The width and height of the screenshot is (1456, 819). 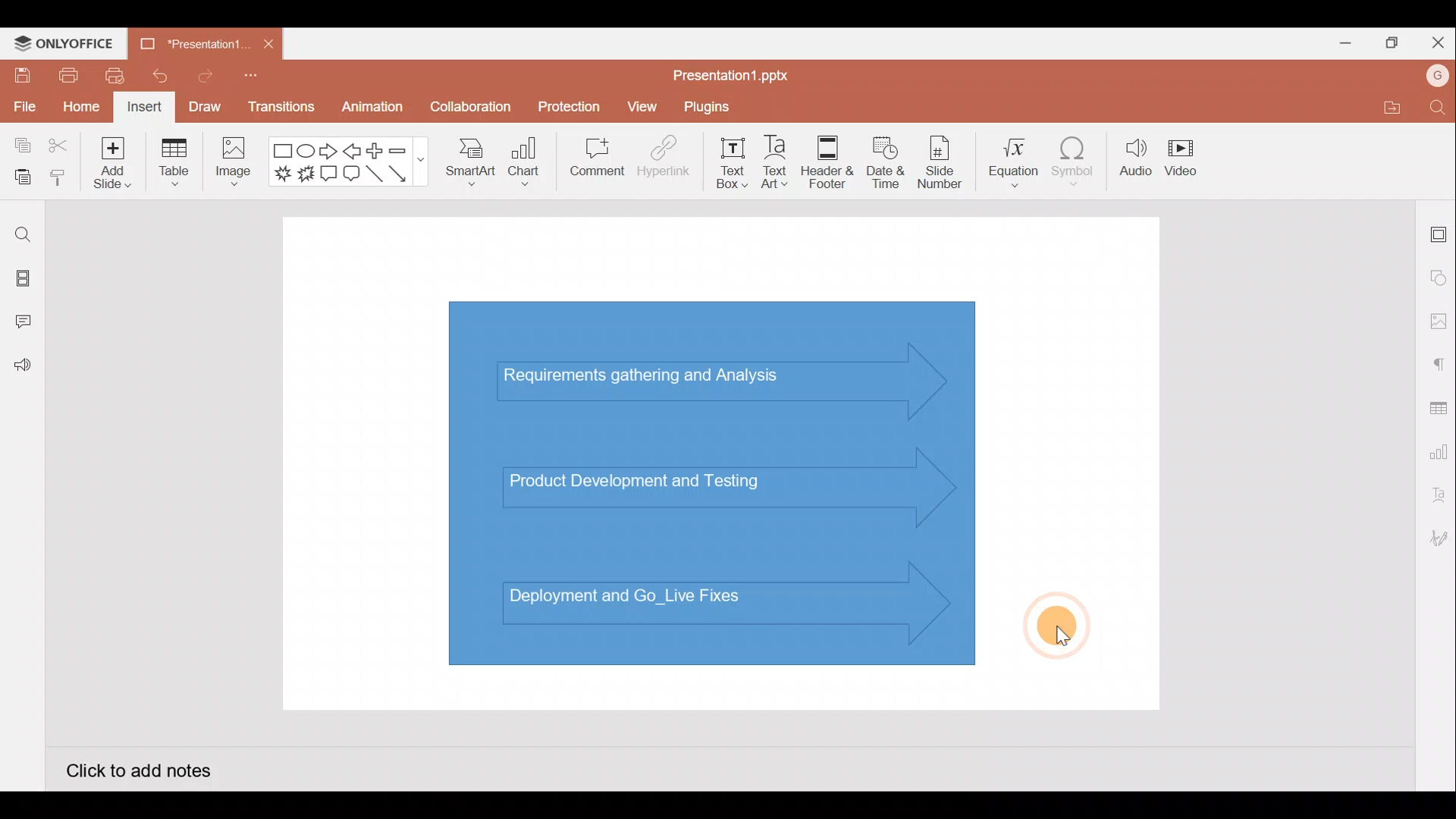 What do you see at coordinates (268, 40) in the screenshot?
I see `Close document` at bounding box center [268, 40].